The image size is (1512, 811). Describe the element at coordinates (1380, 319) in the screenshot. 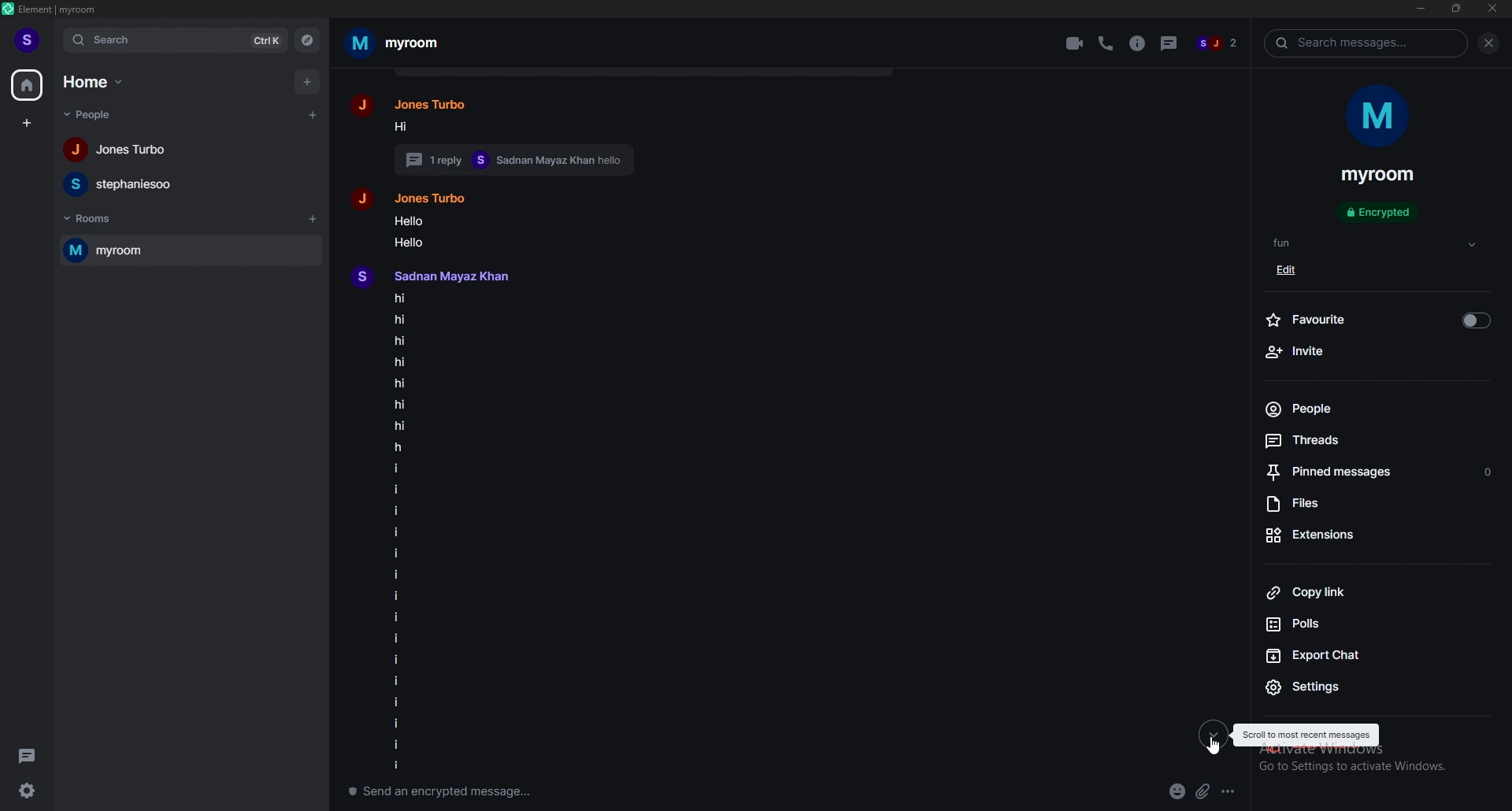

I see `favourite` at that location.